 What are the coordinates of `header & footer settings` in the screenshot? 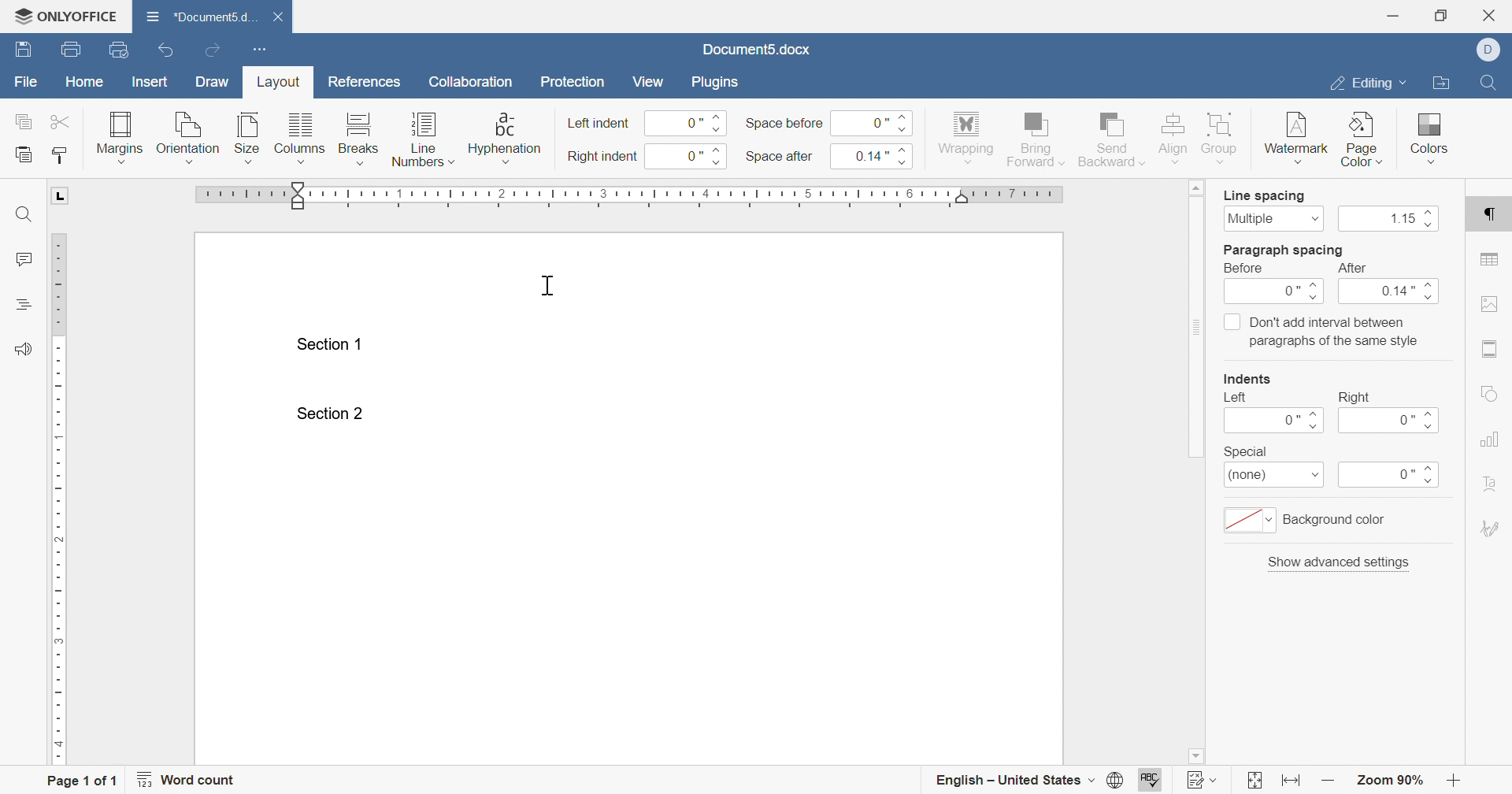 It's located at (1492, 350).